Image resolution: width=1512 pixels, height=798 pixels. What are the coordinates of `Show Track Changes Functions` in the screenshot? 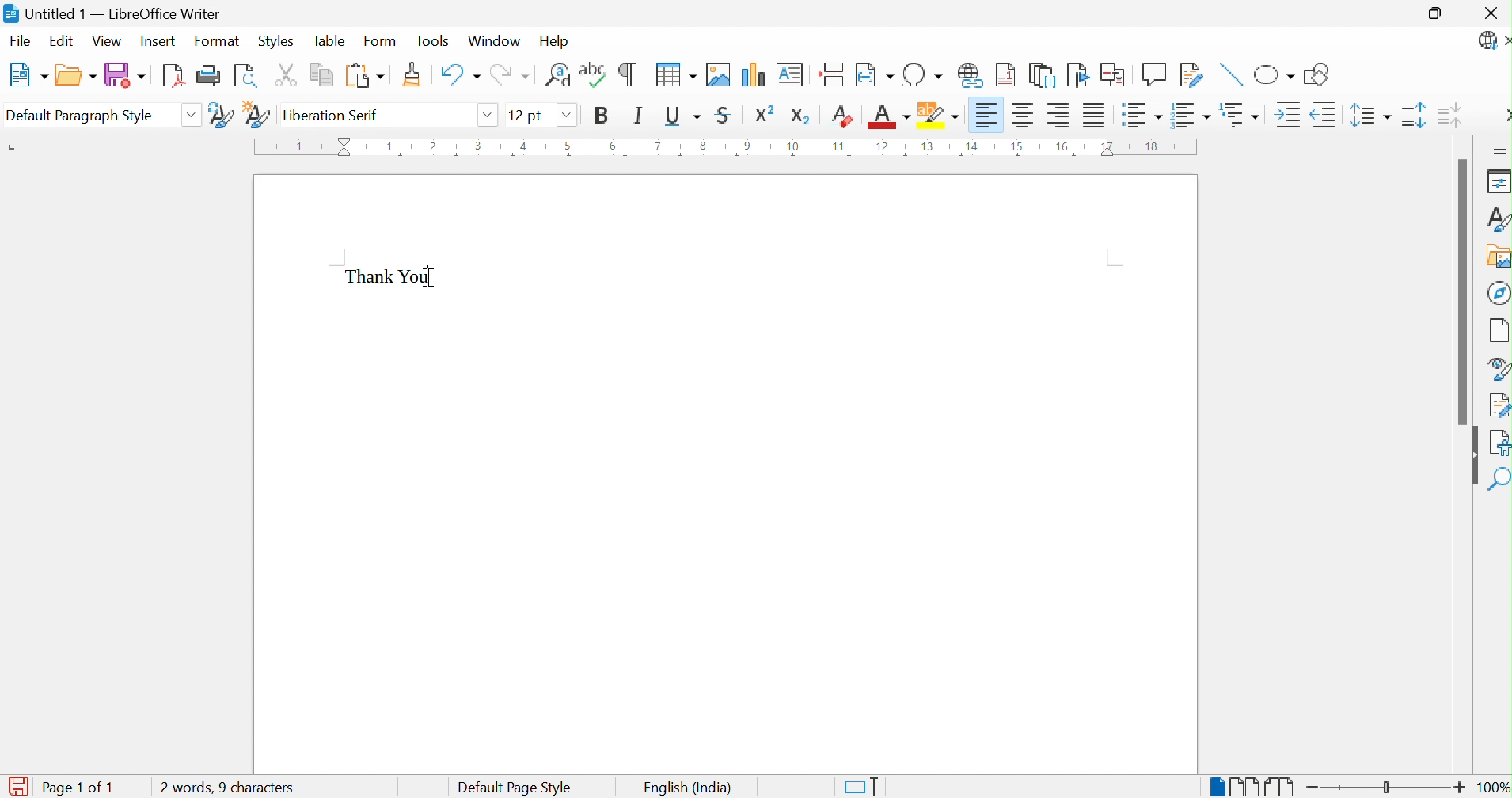 It's located at (1192, 74).